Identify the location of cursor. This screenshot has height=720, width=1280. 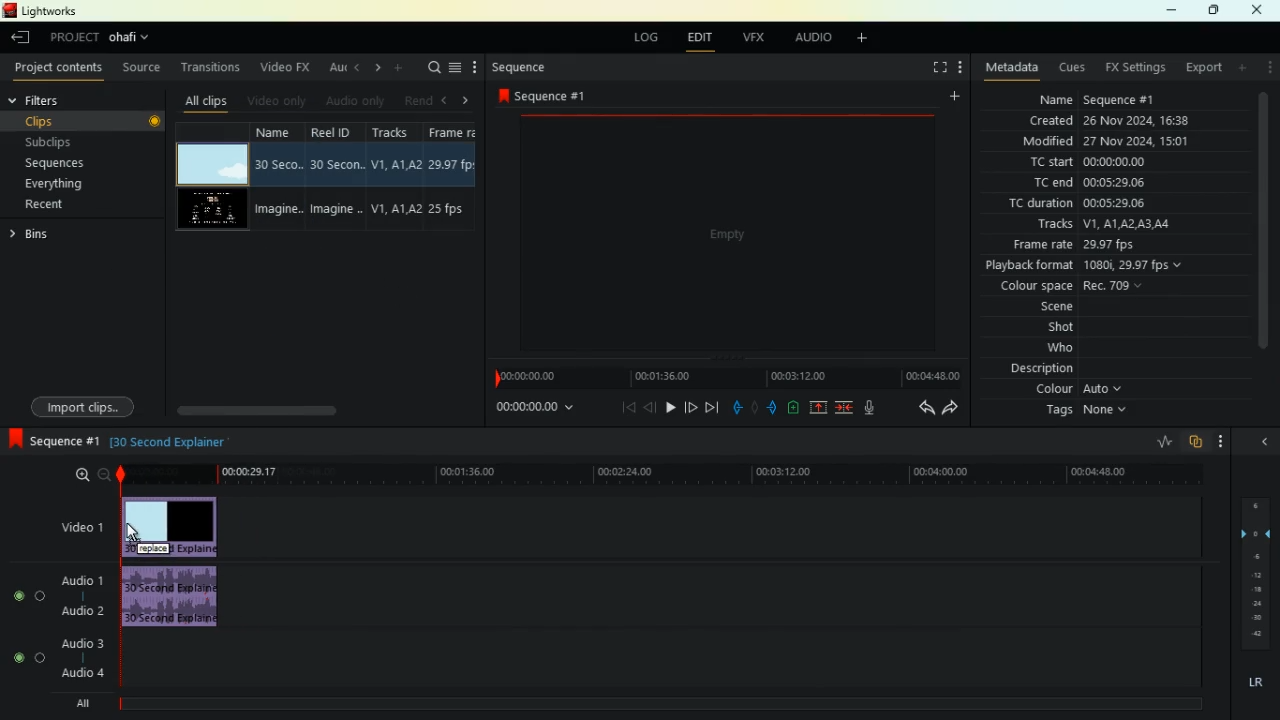
(137, 533).